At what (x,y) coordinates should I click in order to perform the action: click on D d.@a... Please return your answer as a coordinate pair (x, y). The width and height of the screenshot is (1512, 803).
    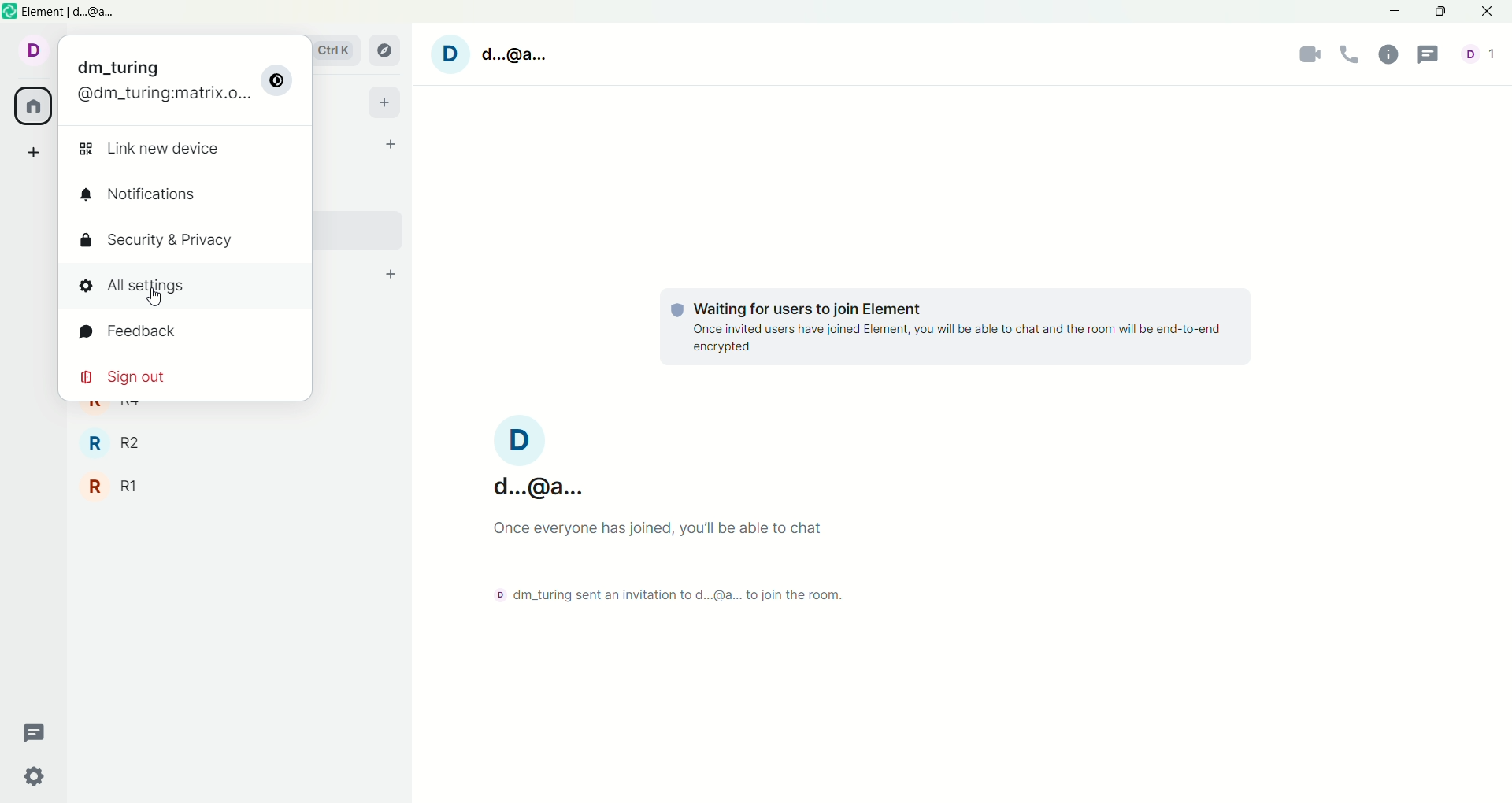
    Looking at the image, I should click on (513, 61).